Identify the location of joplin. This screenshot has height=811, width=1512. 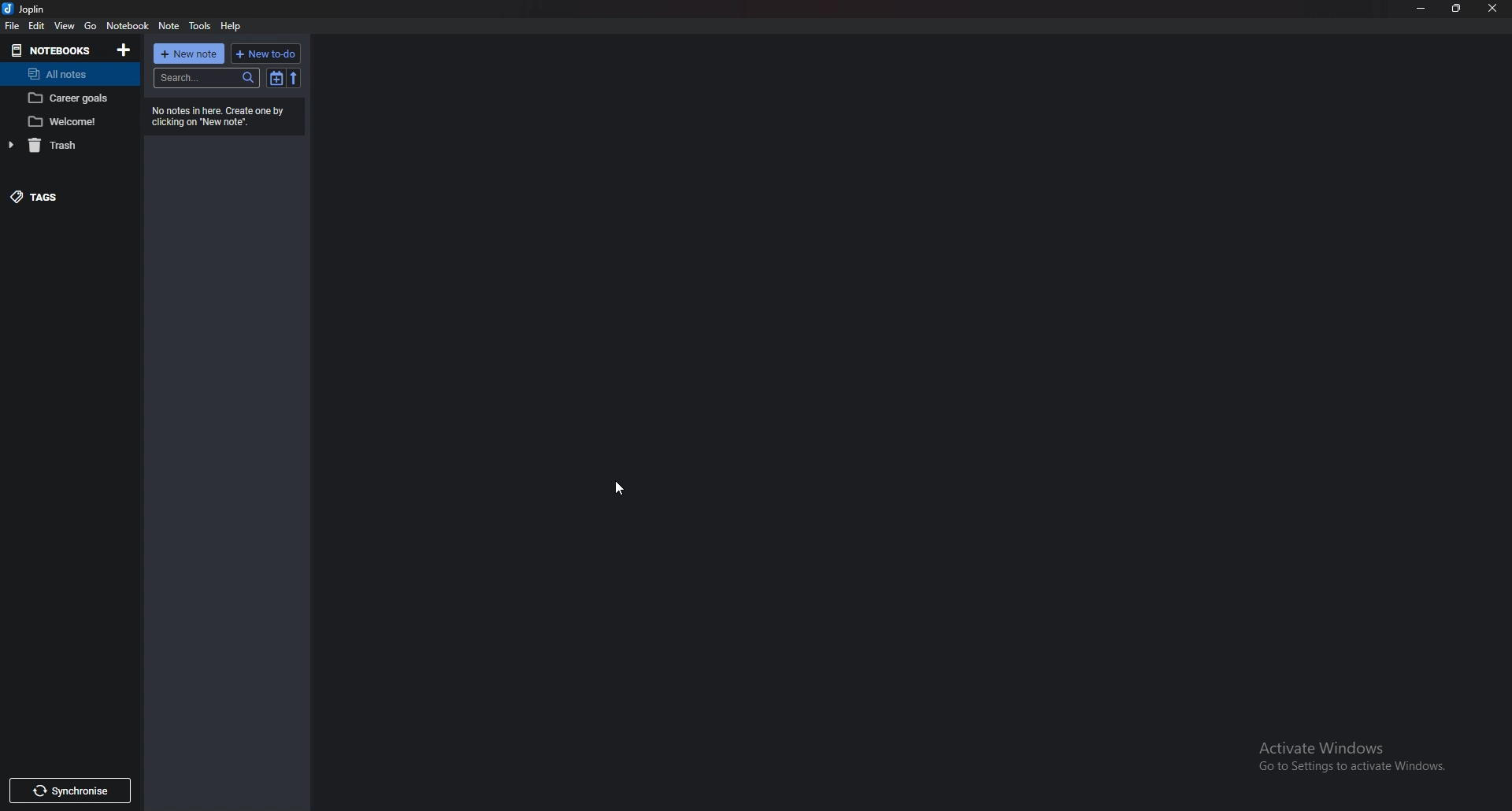
(28, 8).